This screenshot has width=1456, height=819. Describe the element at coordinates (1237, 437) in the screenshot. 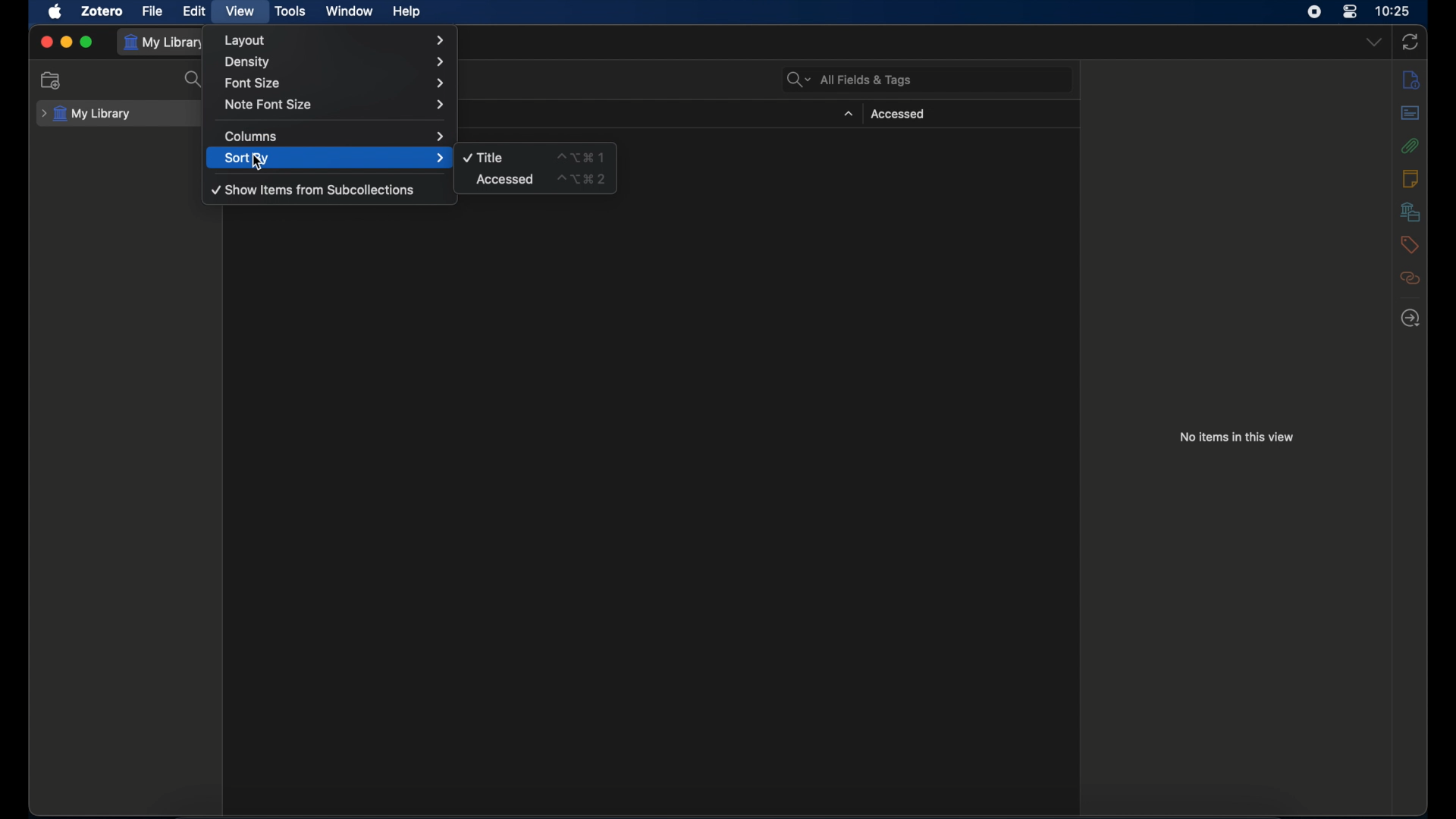

I see `no items in this view` at that location.